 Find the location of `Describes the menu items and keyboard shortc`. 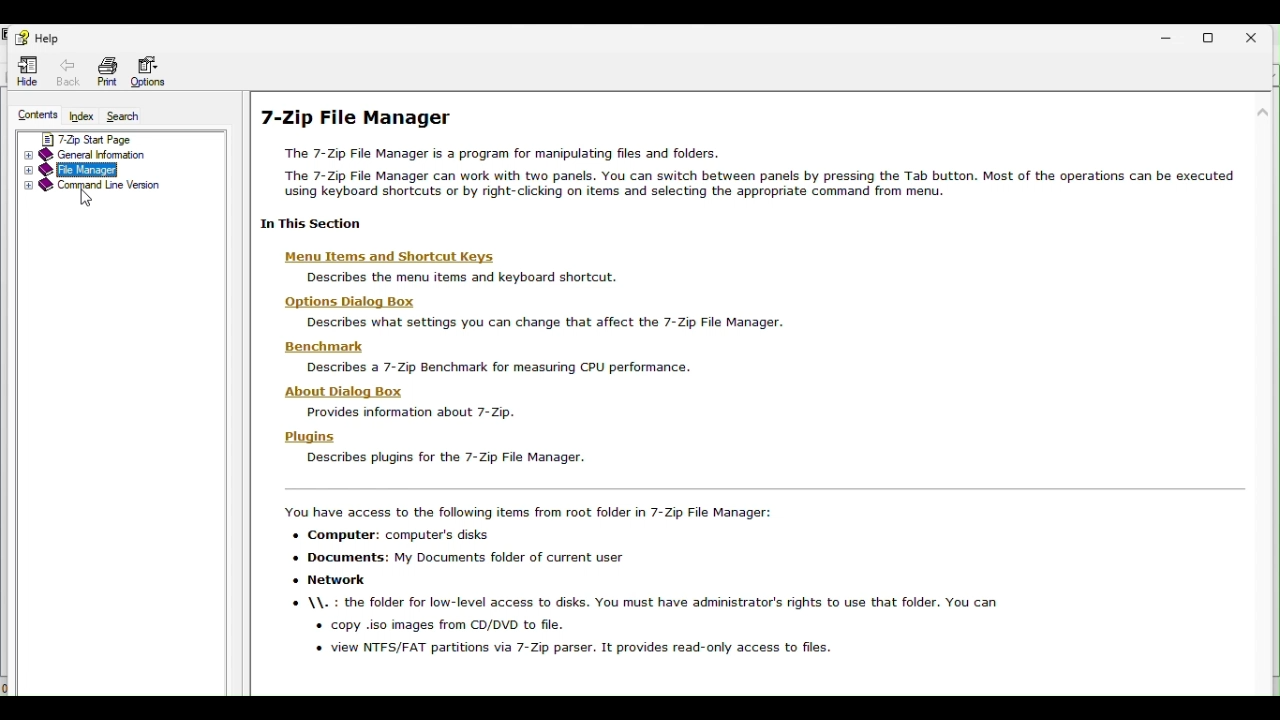

Describes the menu items and keyboard shortc is located at coordinates (459, 278).